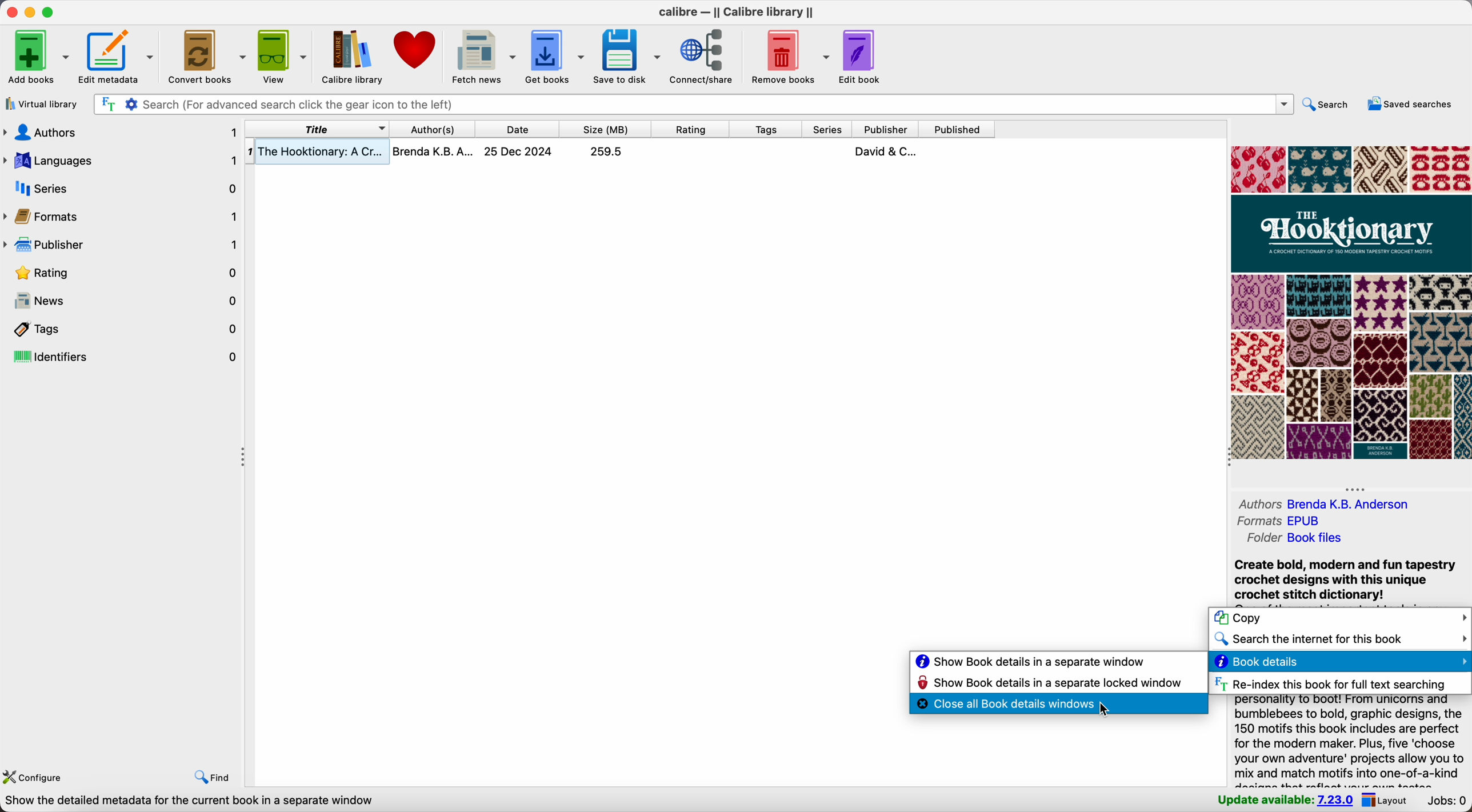  What do you see at coordinates (1103, 711) in the screenshot?
I see `cursor` at bounding box center [1103, 711].